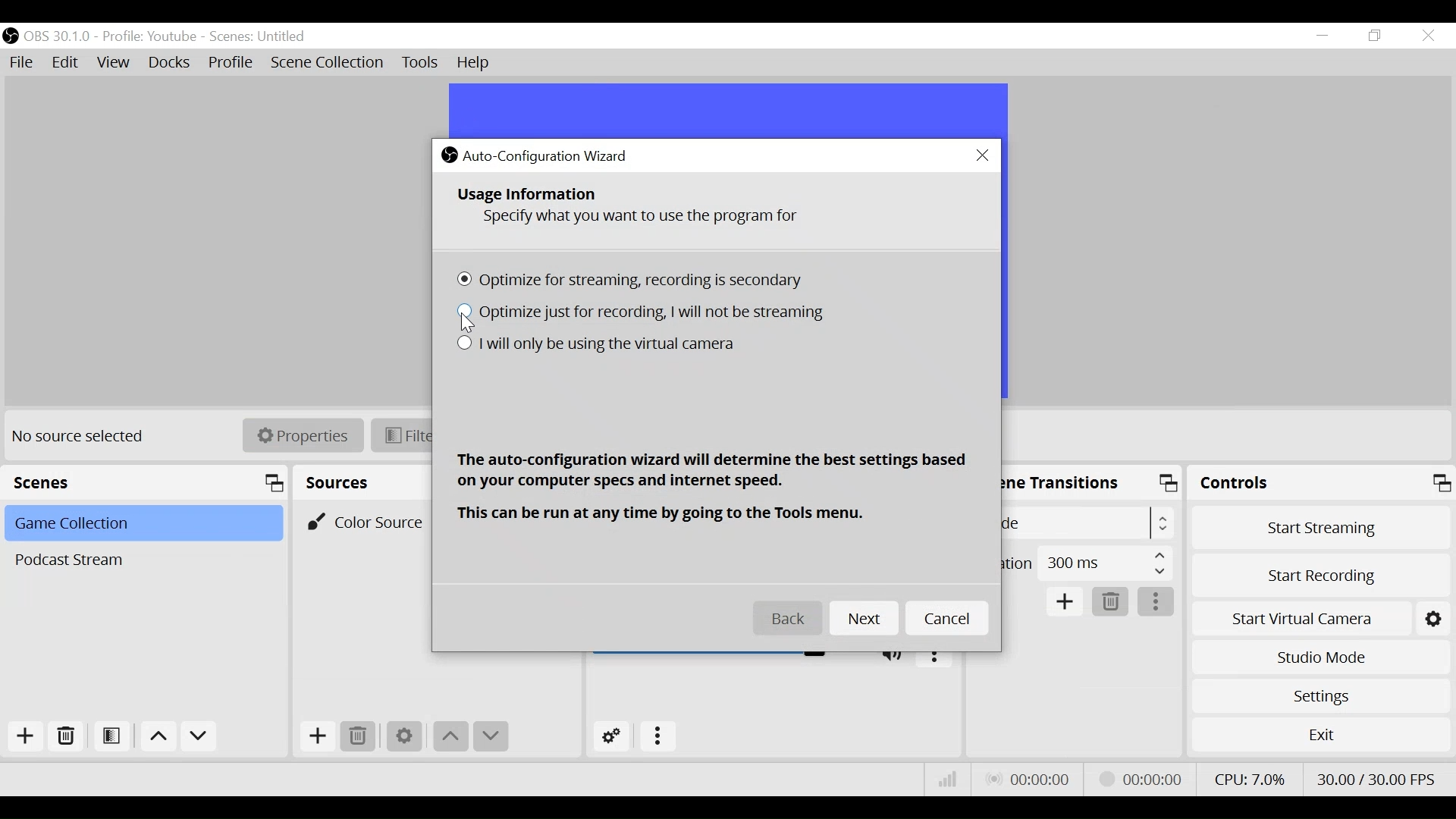 Image resolution: width=1456 pixels, height=819 pixels. I want to click on Close, so click(984, 156).